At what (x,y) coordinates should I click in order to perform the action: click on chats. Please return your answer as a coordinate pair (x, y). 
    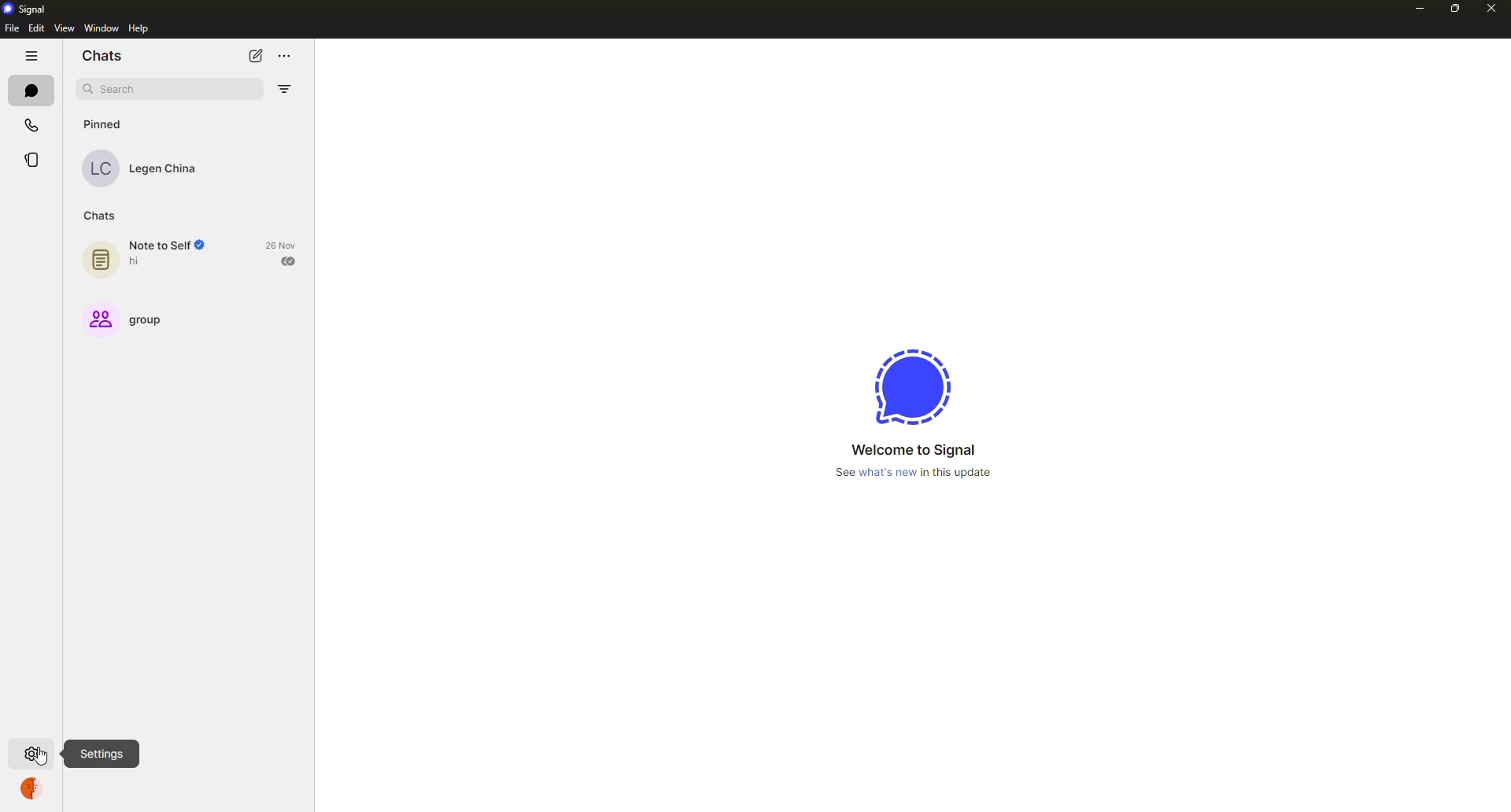
    Looking at the image, I should click on (31, 90).